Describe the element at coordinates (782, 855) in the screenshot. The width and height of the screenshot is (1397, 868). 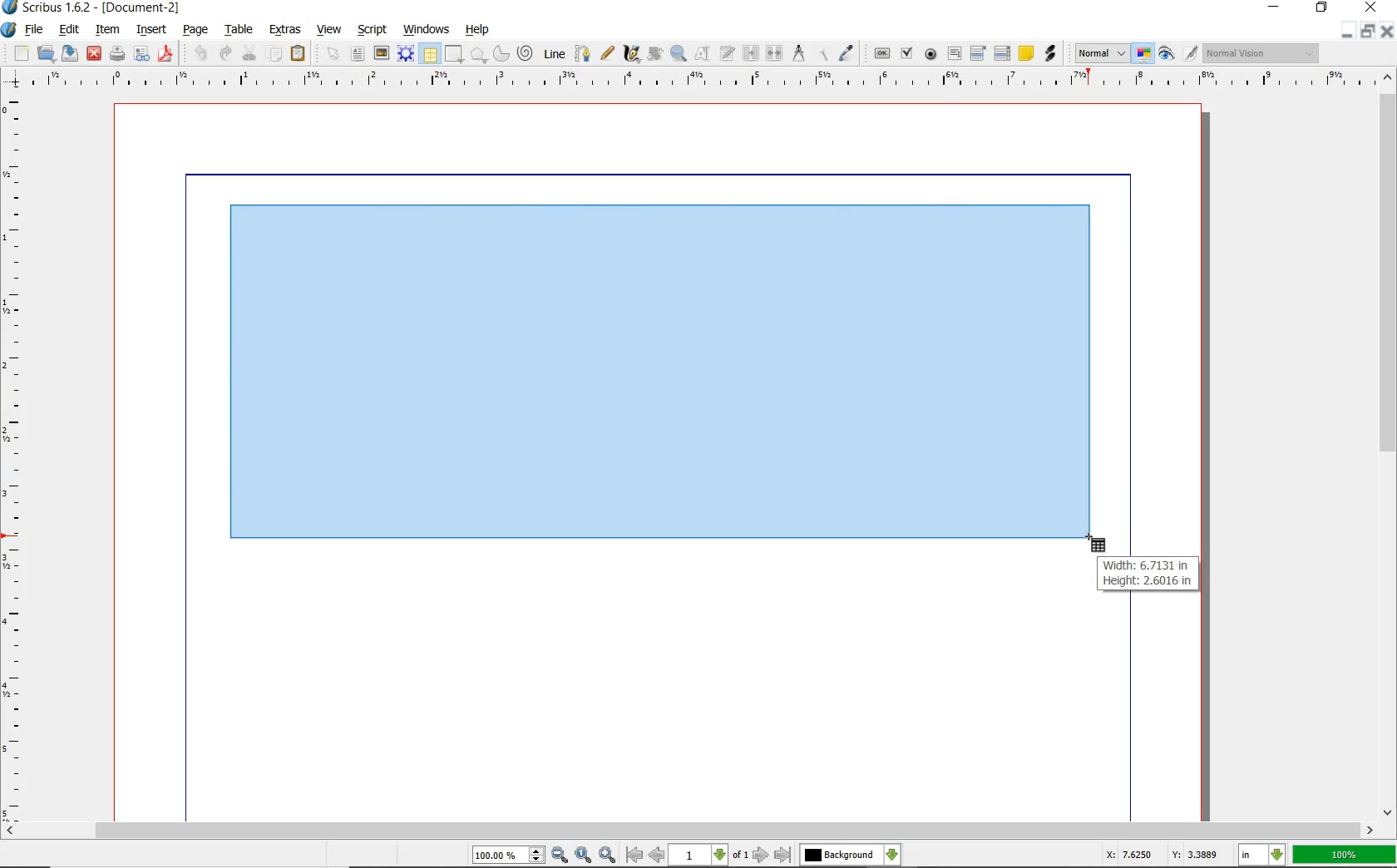
I see `go to last page` at that location.